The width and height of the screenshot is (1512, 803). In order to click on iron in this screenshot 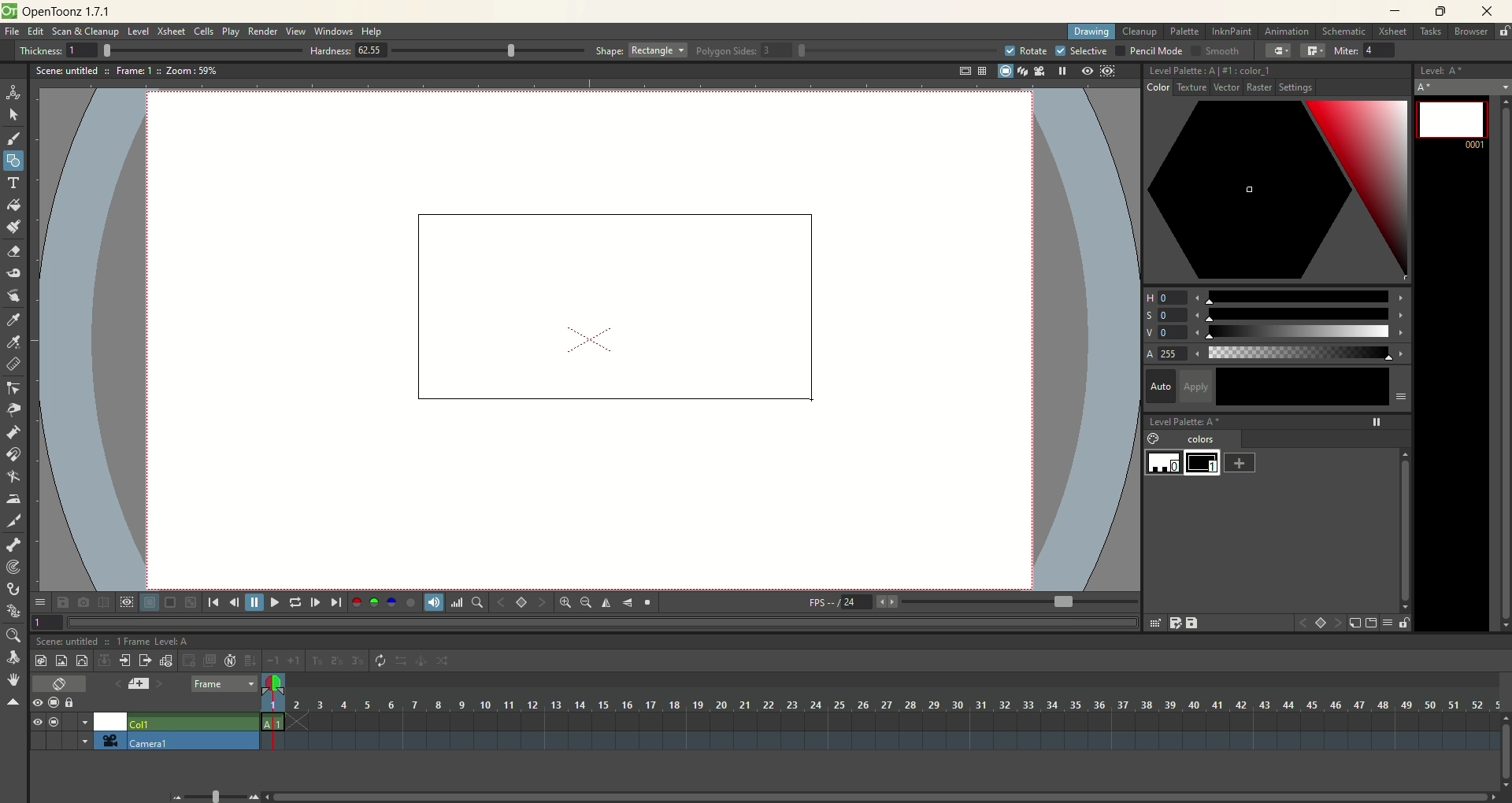, I will do `click(13, 498)`.